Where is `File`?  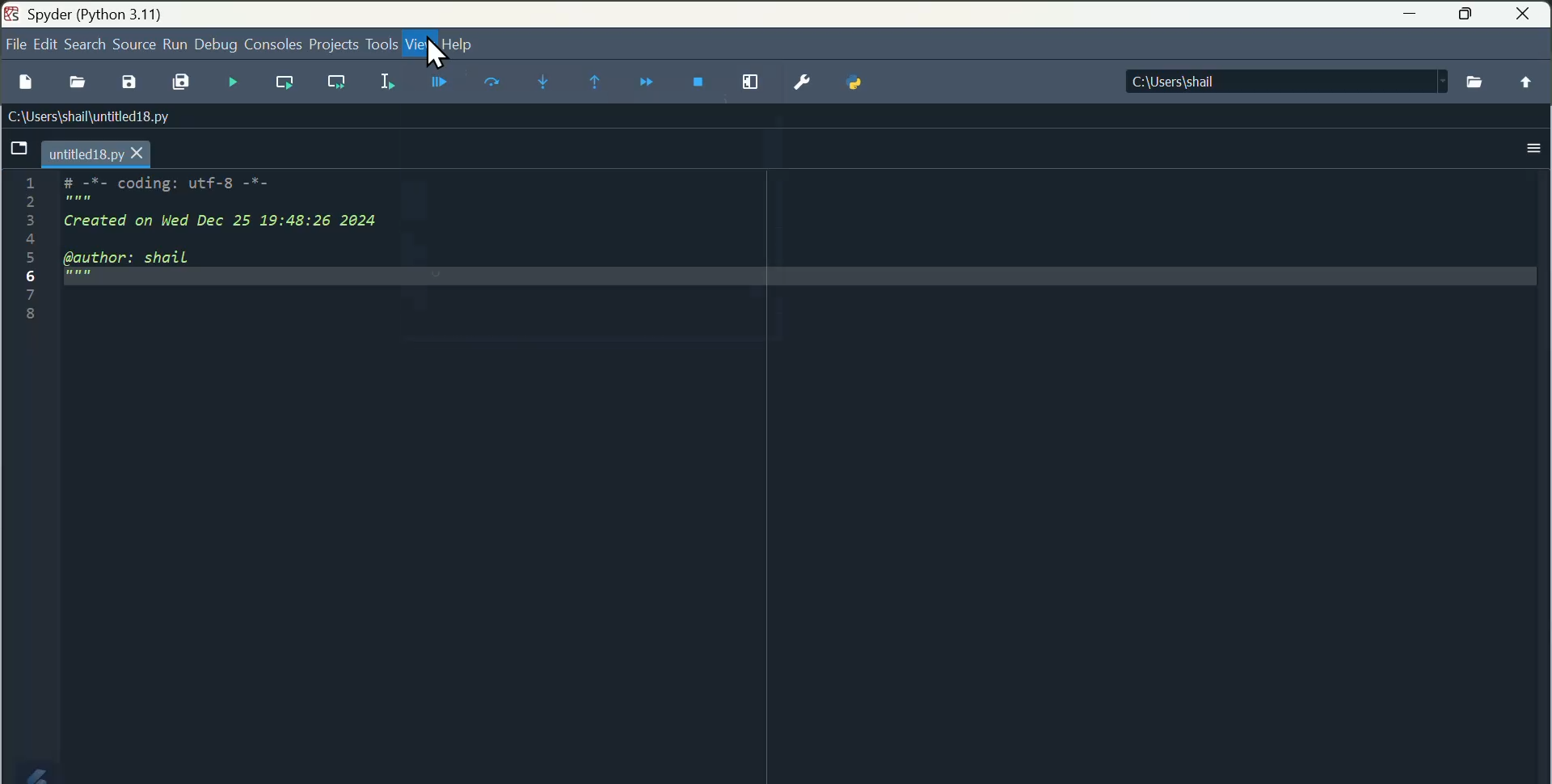
File is located at coordinates (15, 44).